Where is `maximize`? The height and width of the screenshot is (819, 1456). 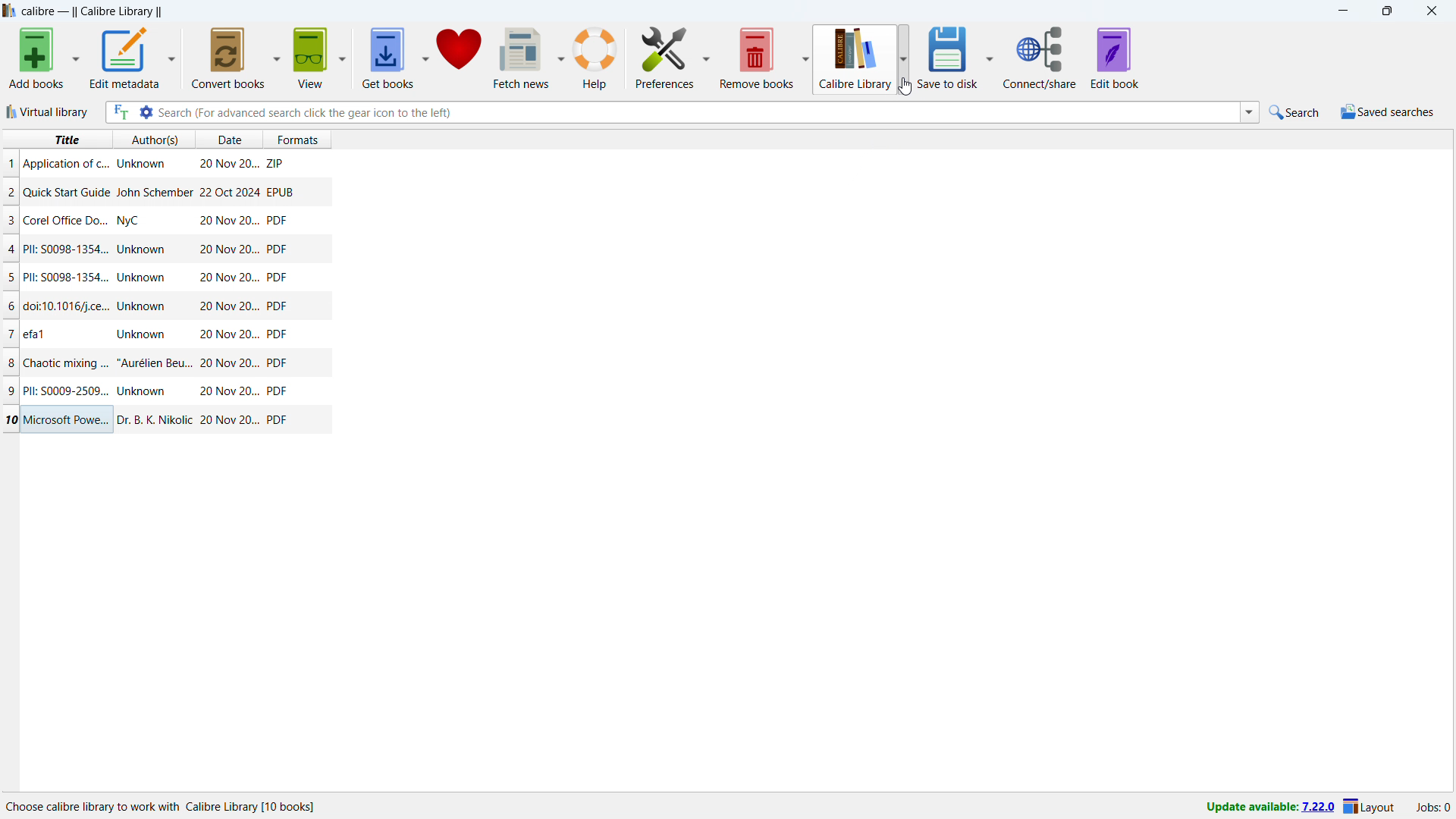 maximize is located at coordinates (1387, 11).